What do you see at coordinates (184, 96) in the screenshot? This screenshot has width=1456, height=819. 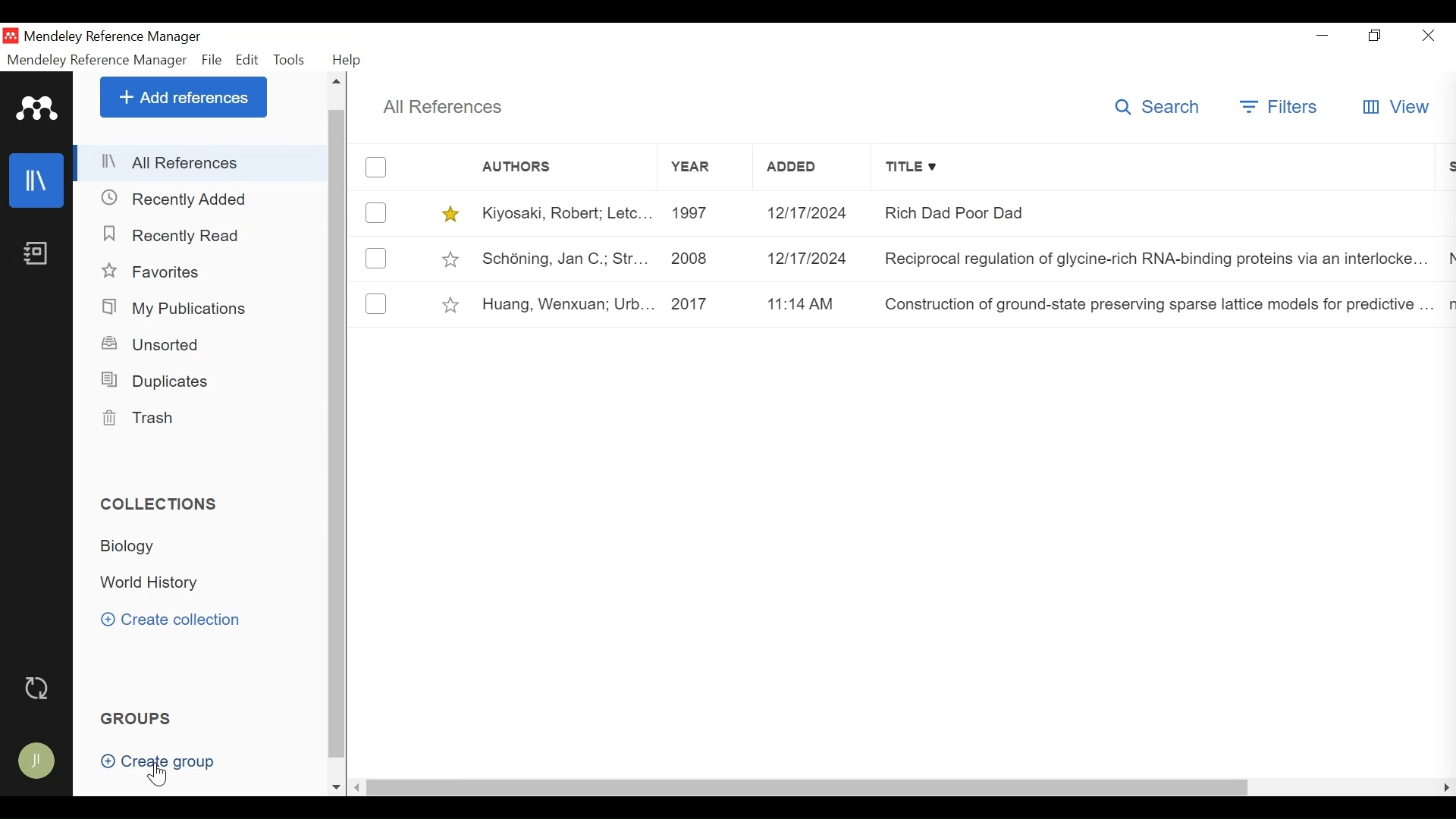 I see `Add References` at bounding box center [184, 96].